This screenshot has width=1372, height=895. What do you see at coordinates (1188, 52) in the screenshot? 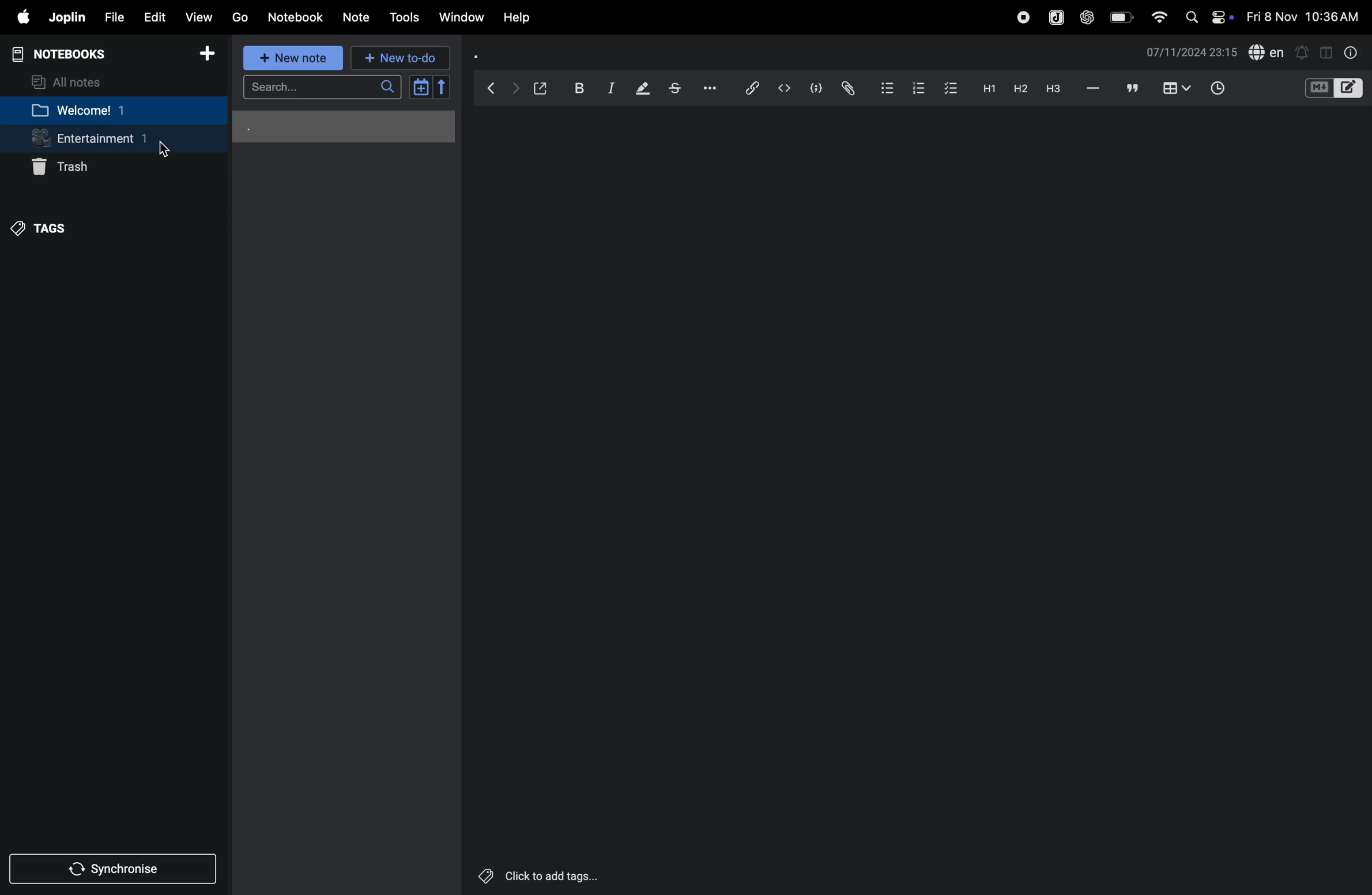
I see `time and date` at bounding box center [1188, 52].